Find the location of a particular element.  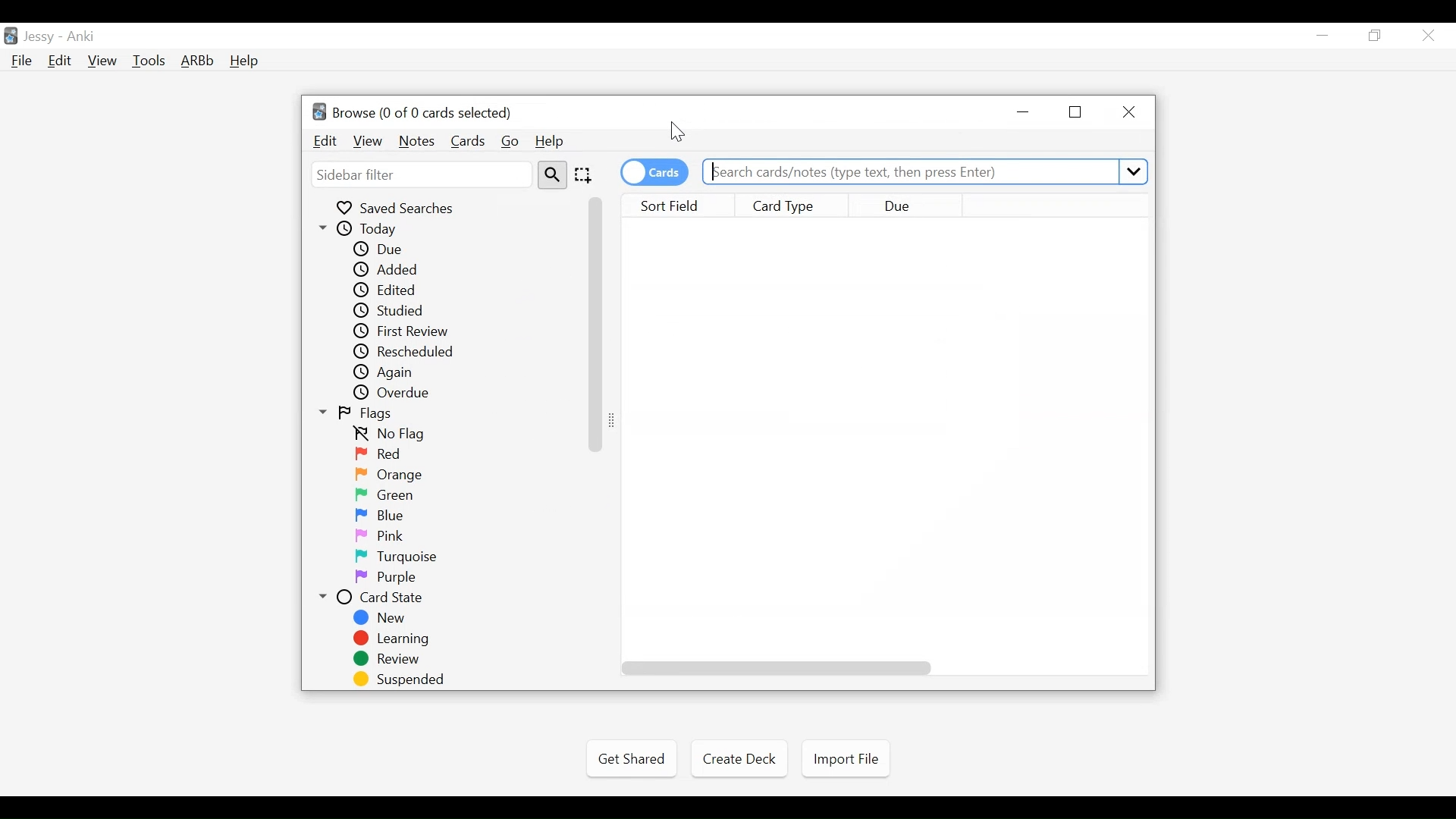

Card Type is located at coordinates (793, 206).